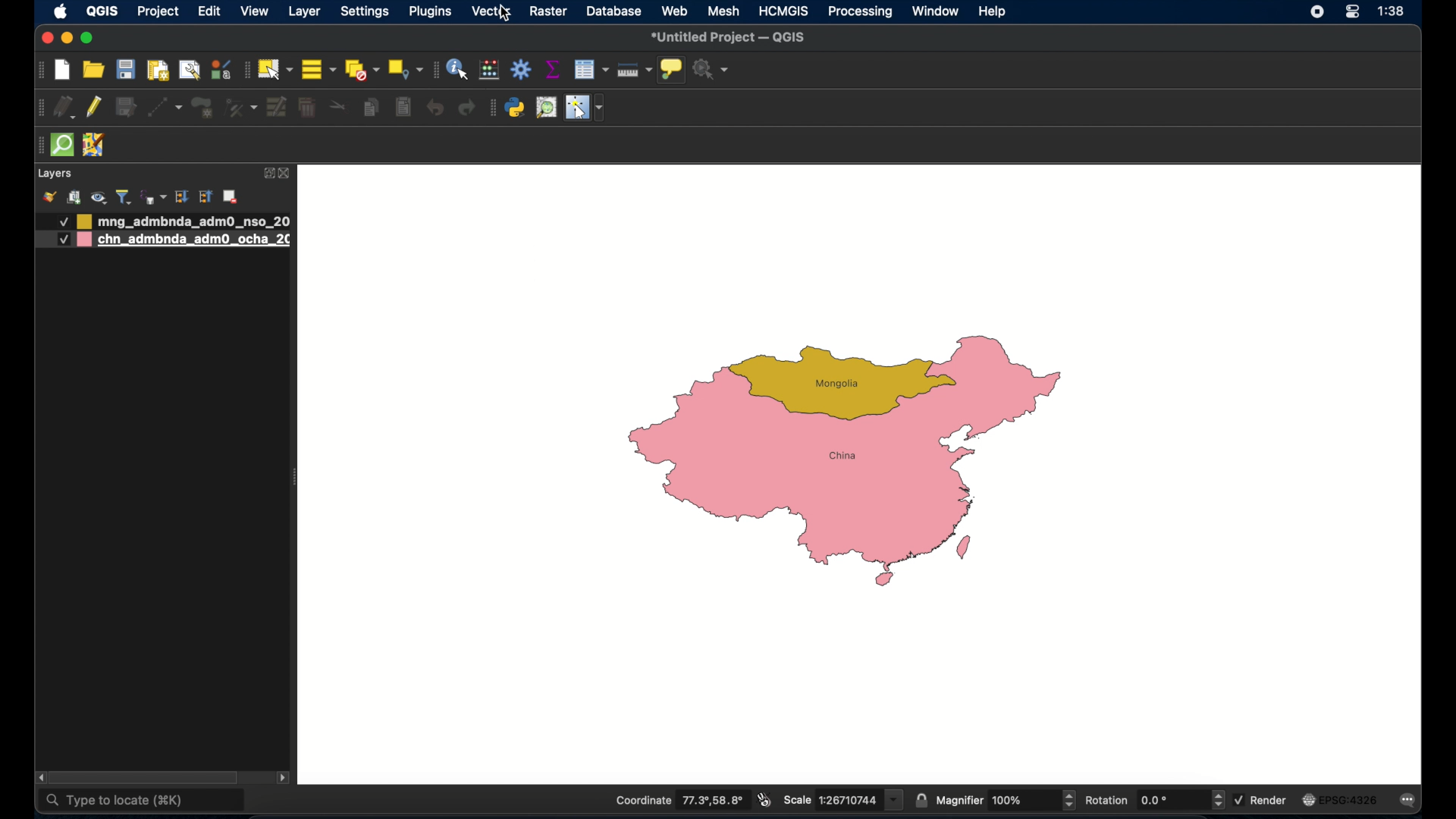 The height and width of the screenshot is (819, 1456). What do you see at coordinates (182, 196) in the screenshot?
I see `expand` at bounding box center [182, 196].